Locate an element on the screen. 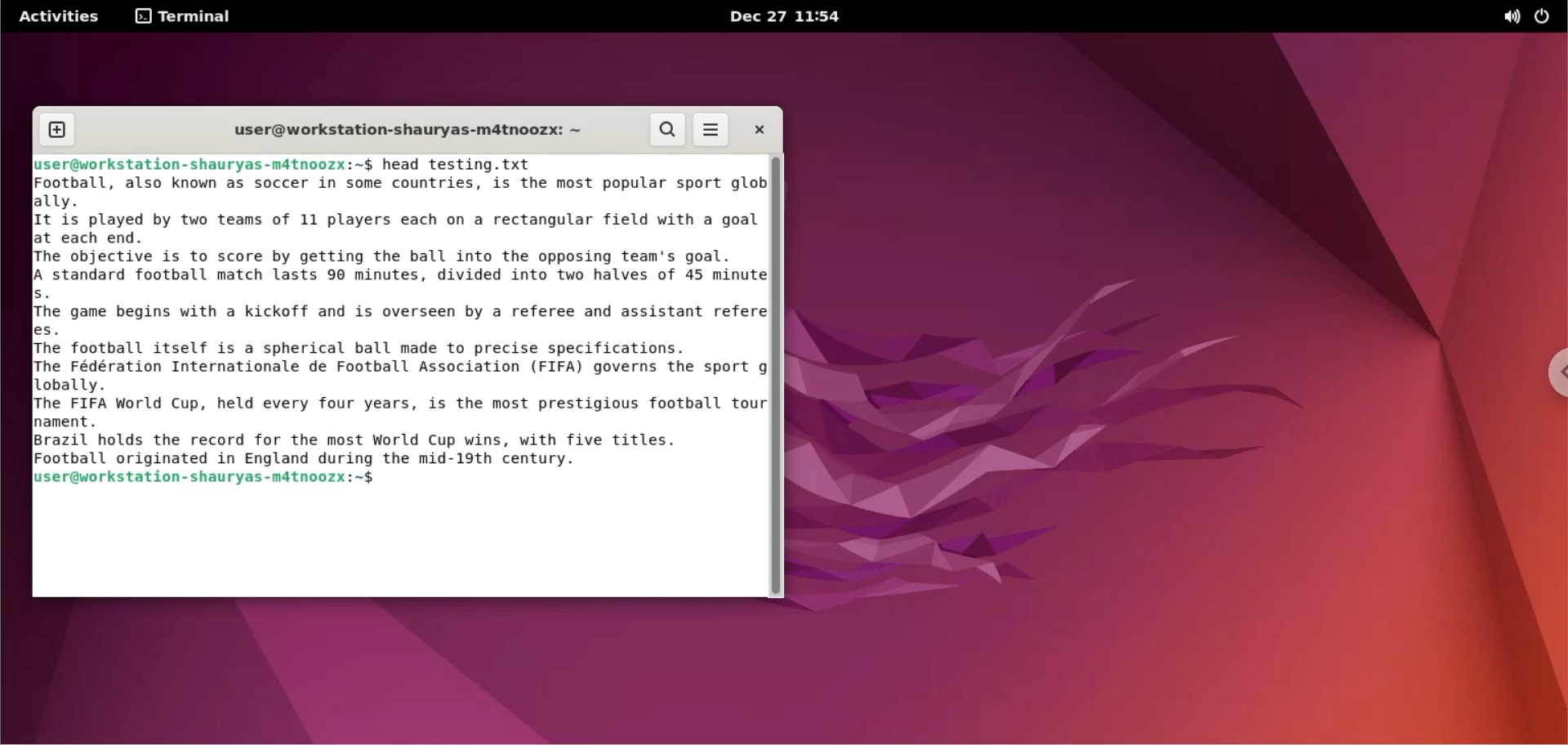  command input is located at coordinates (572, 480).